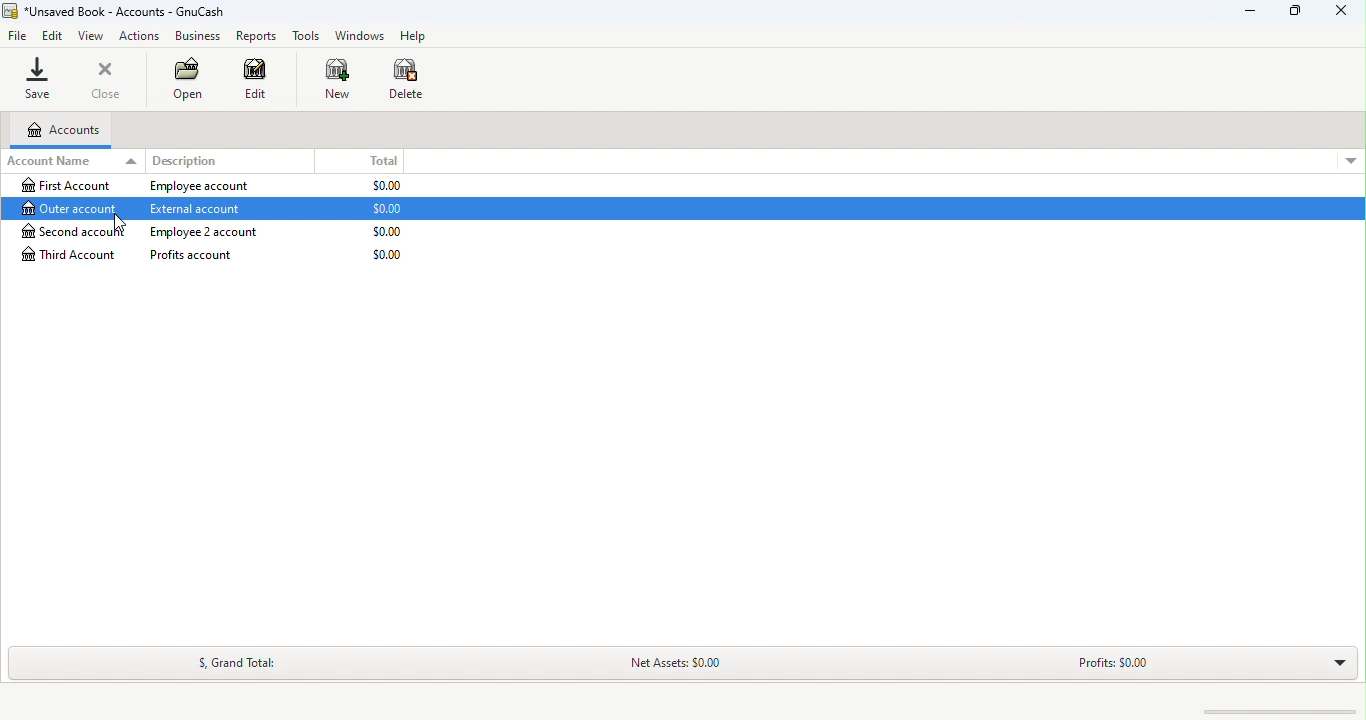  What do you see at coordinates (54, 37) in the screenshot?
I see `Edit` at bounding box center [54, 37].